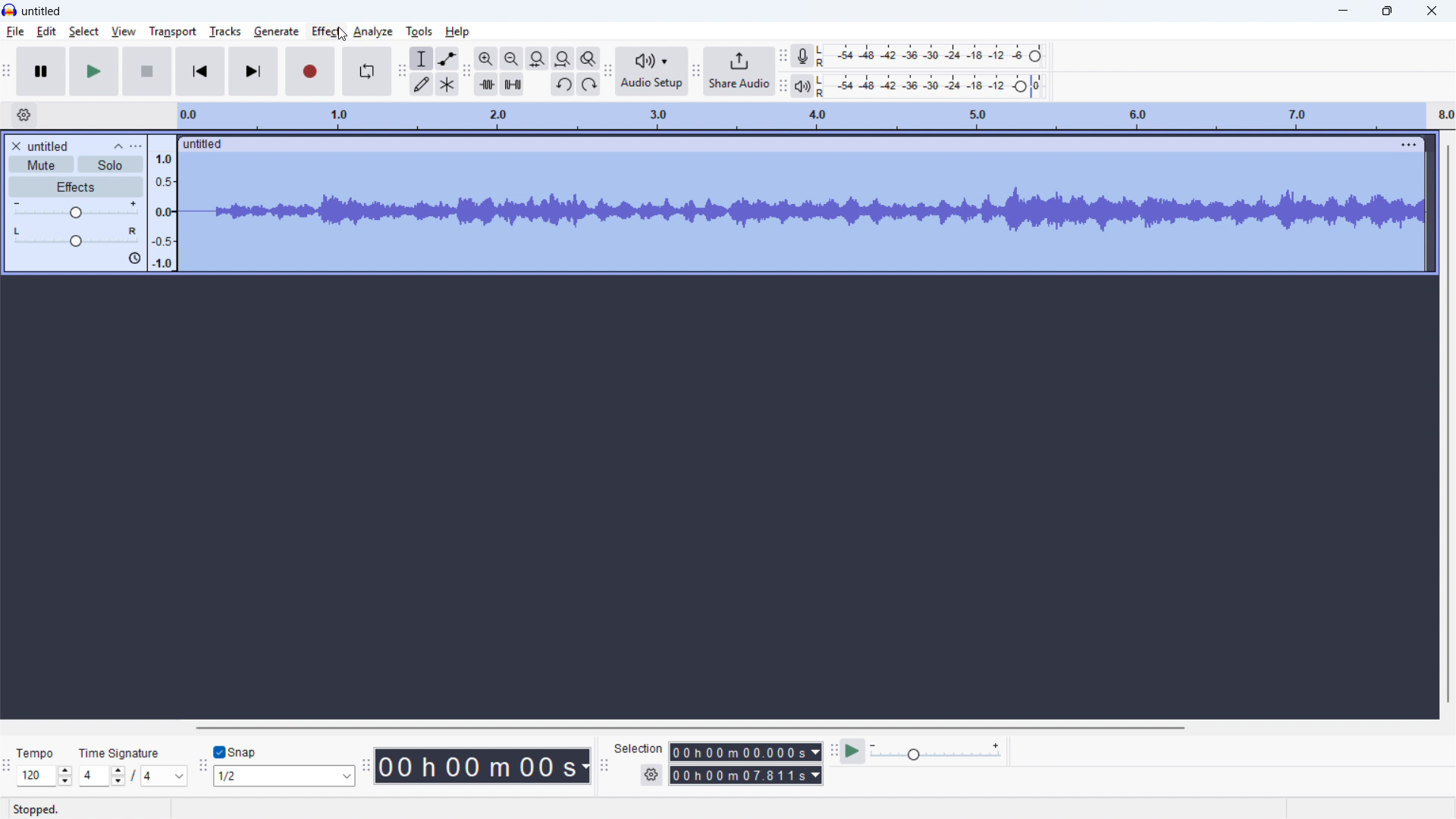  Describe the element at coordinates (738, 71) in the screenshot. I see `Share audio ` at that location.